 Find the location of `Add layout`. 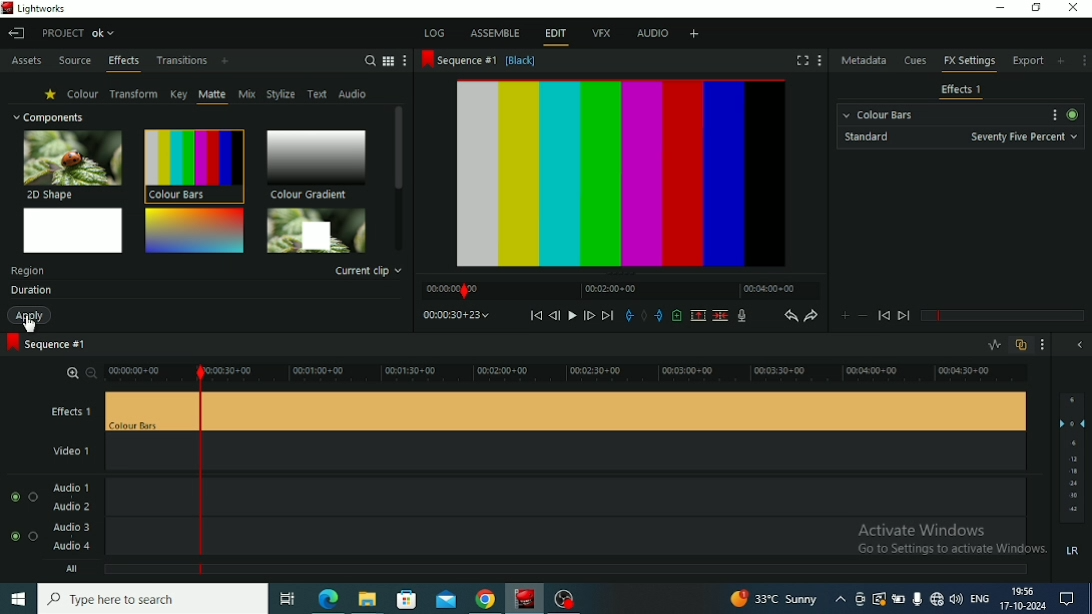

Add layout is located at coordinates (693, 33).